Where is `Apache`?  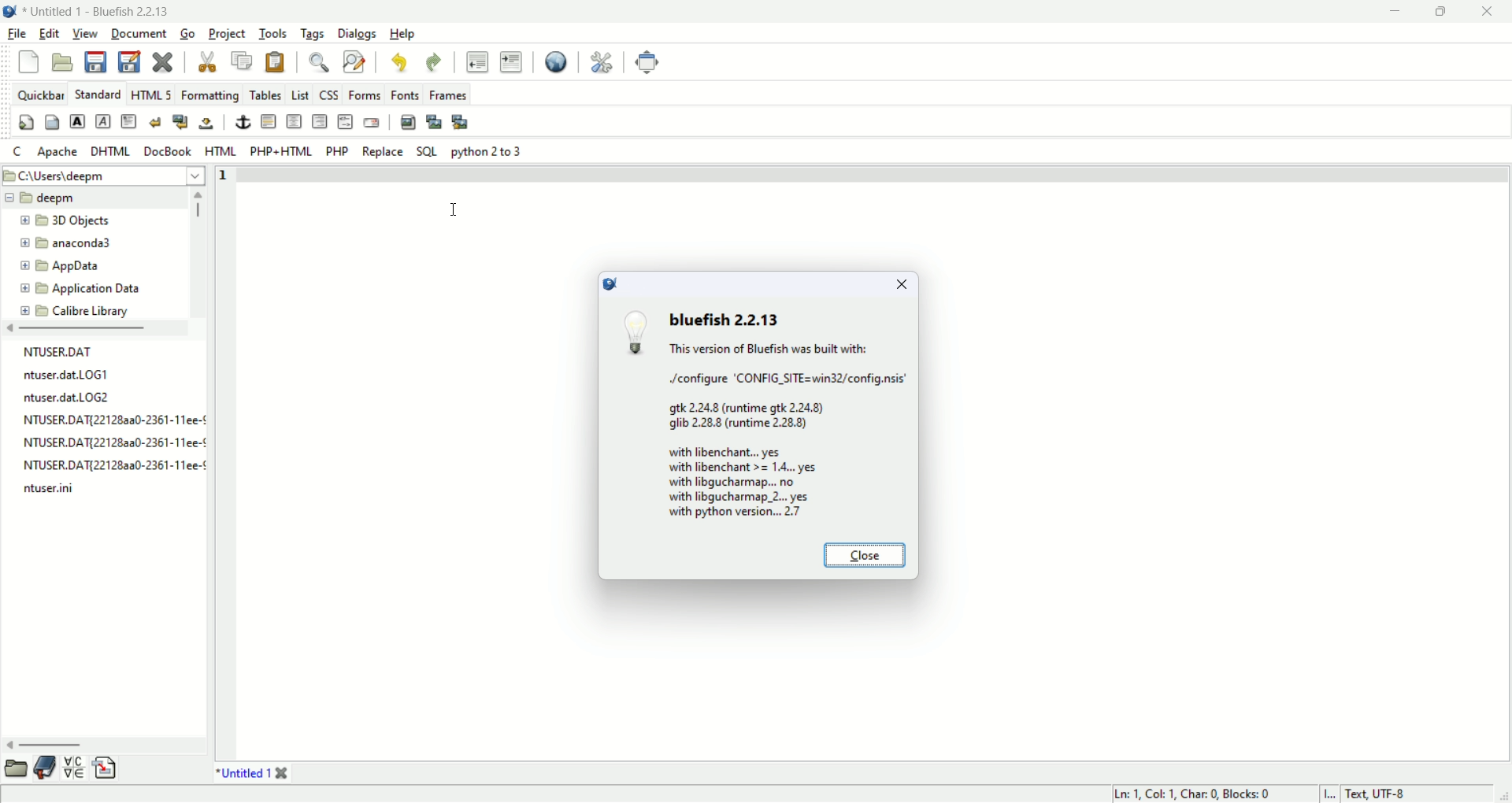 Apache is located at coordinates (59, 152).